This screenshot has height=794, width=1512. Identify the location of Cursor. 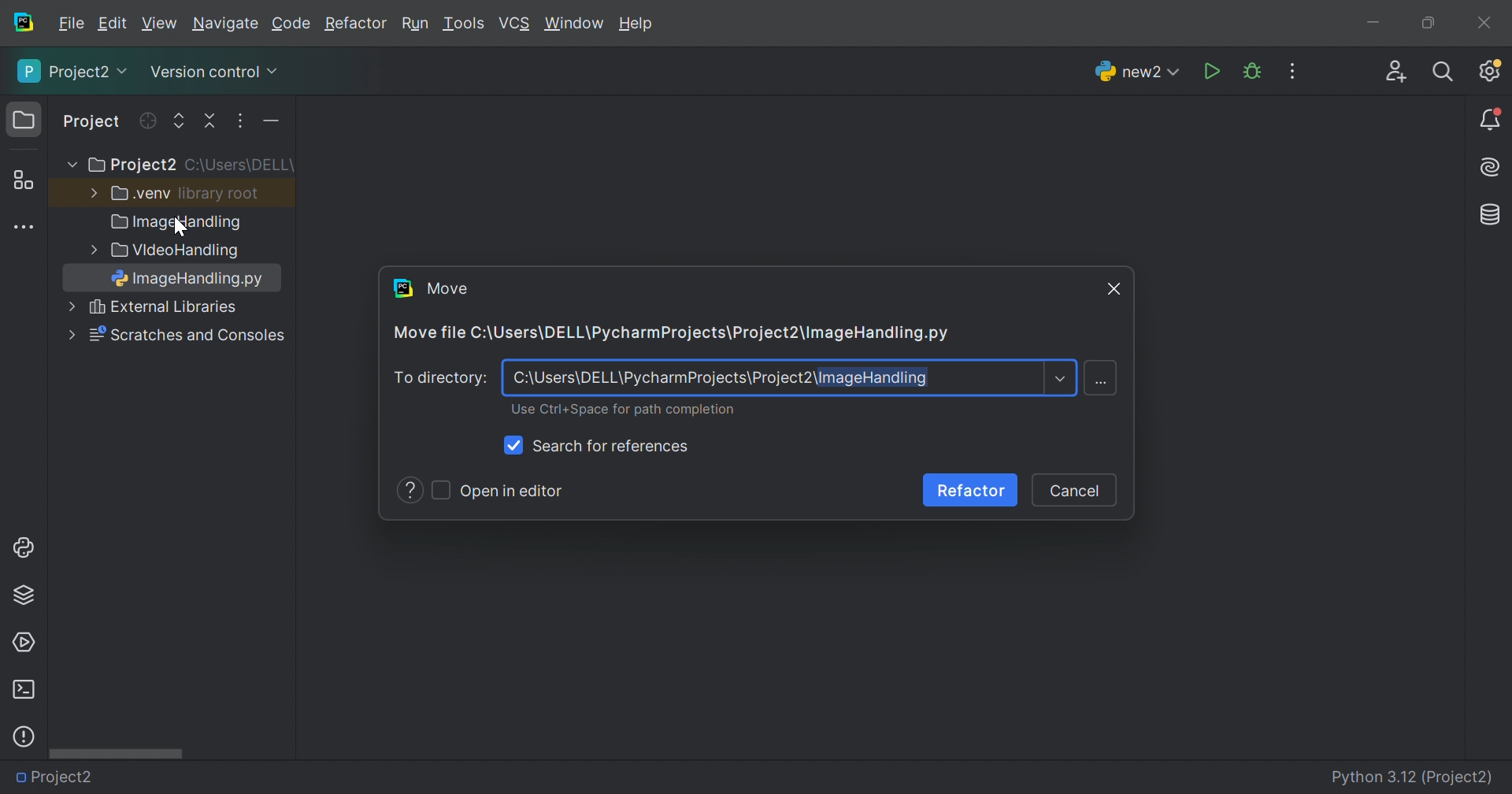
(183, 228).